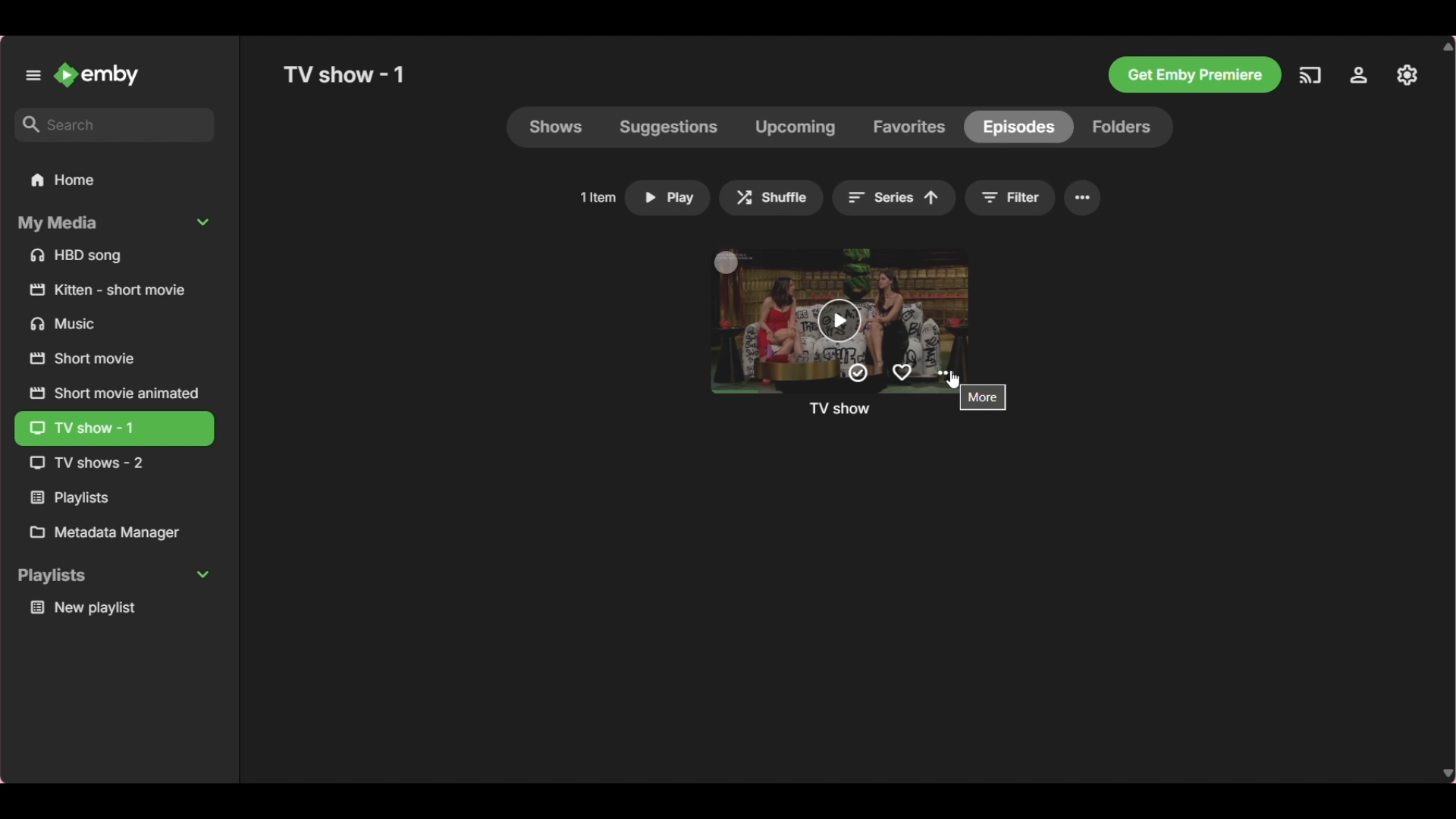 The width and height of the screenshot is (1456, 819). I want to click on Current selection highlighted, so click(1018, 127).